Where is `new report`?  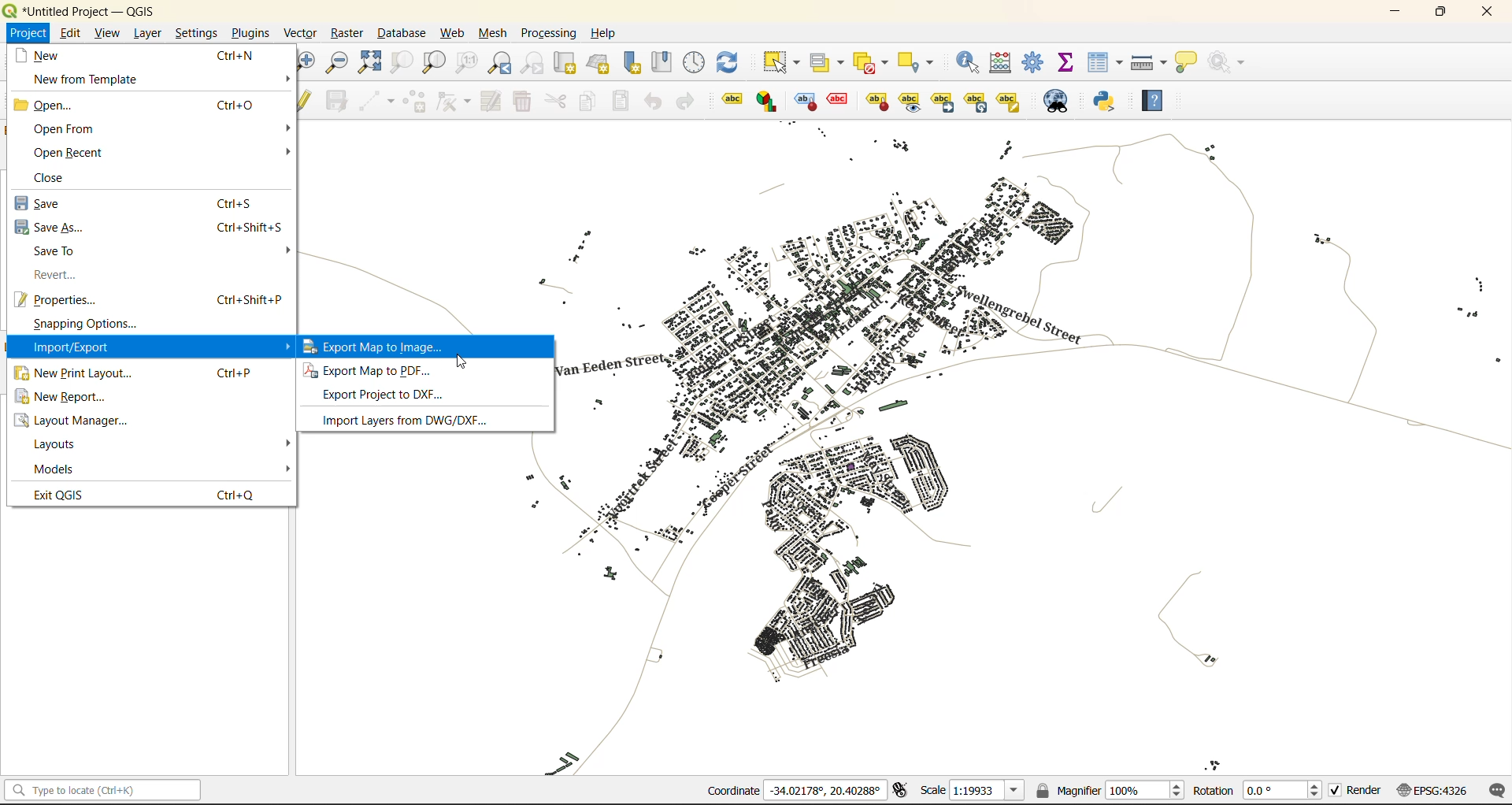
new report is located at coordinates (70, 400).